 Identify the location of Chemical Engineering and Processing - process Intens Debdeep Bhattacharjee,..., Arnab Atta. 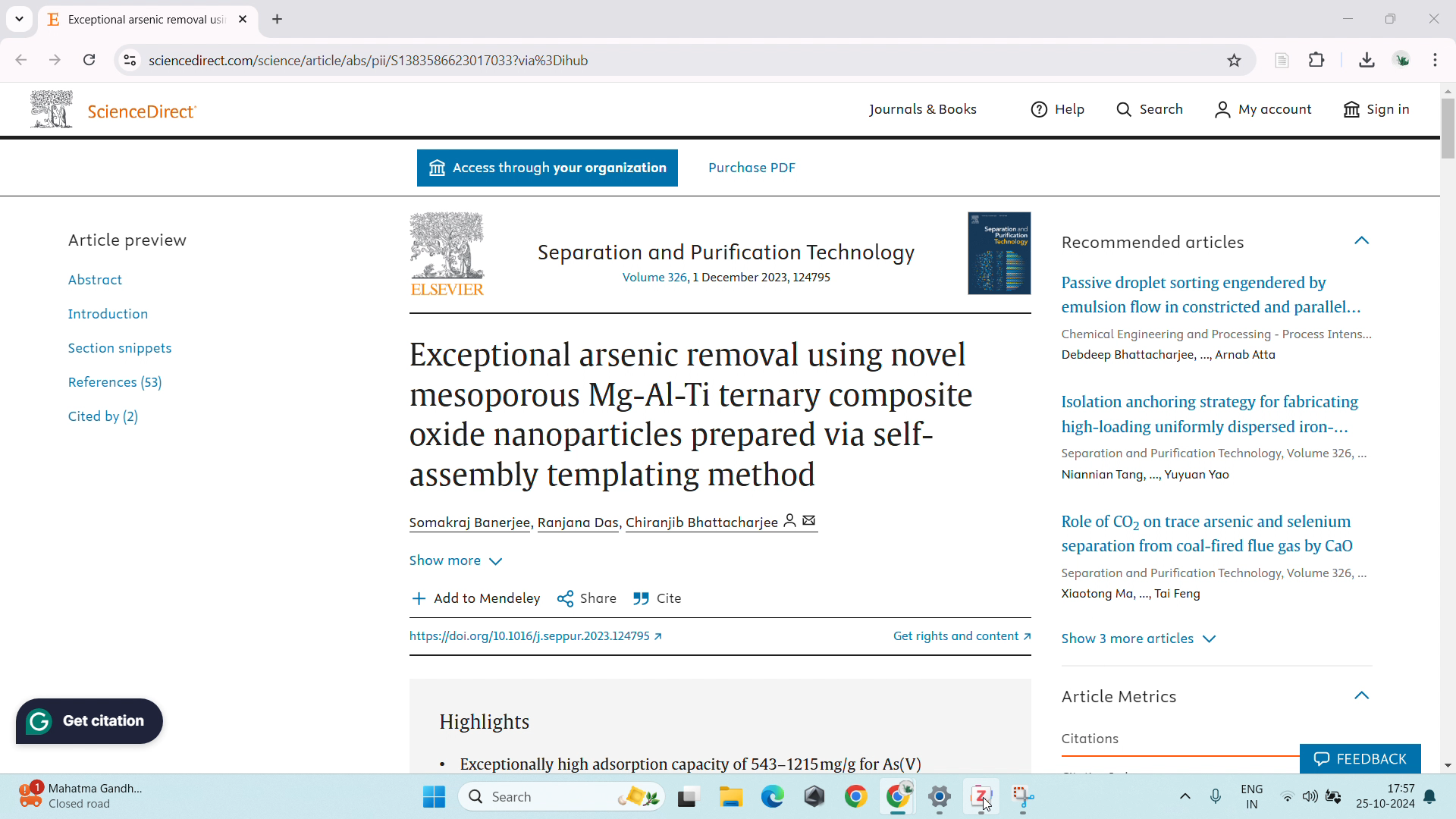
(1213, 343).